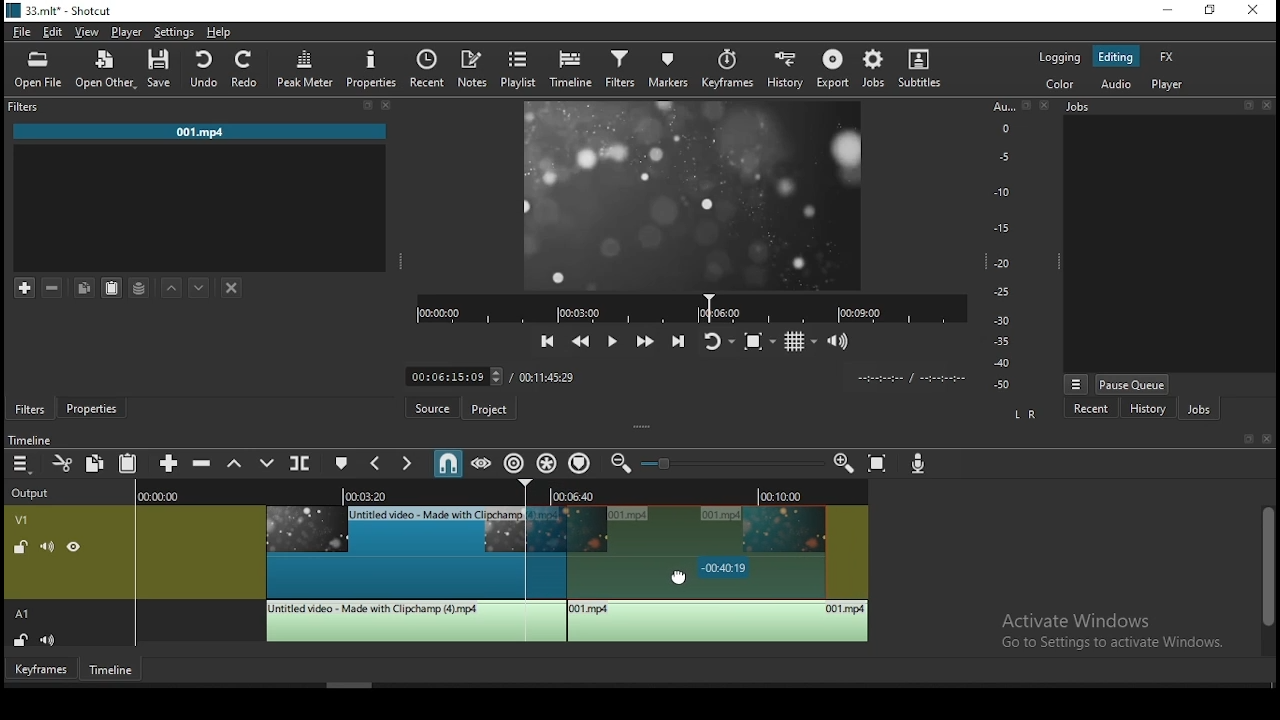 The width and height of the screenshot is (1280, 720). Describe the element at coordinates (85, 286) in the screenshot. I see `copy selected filter` at that location.